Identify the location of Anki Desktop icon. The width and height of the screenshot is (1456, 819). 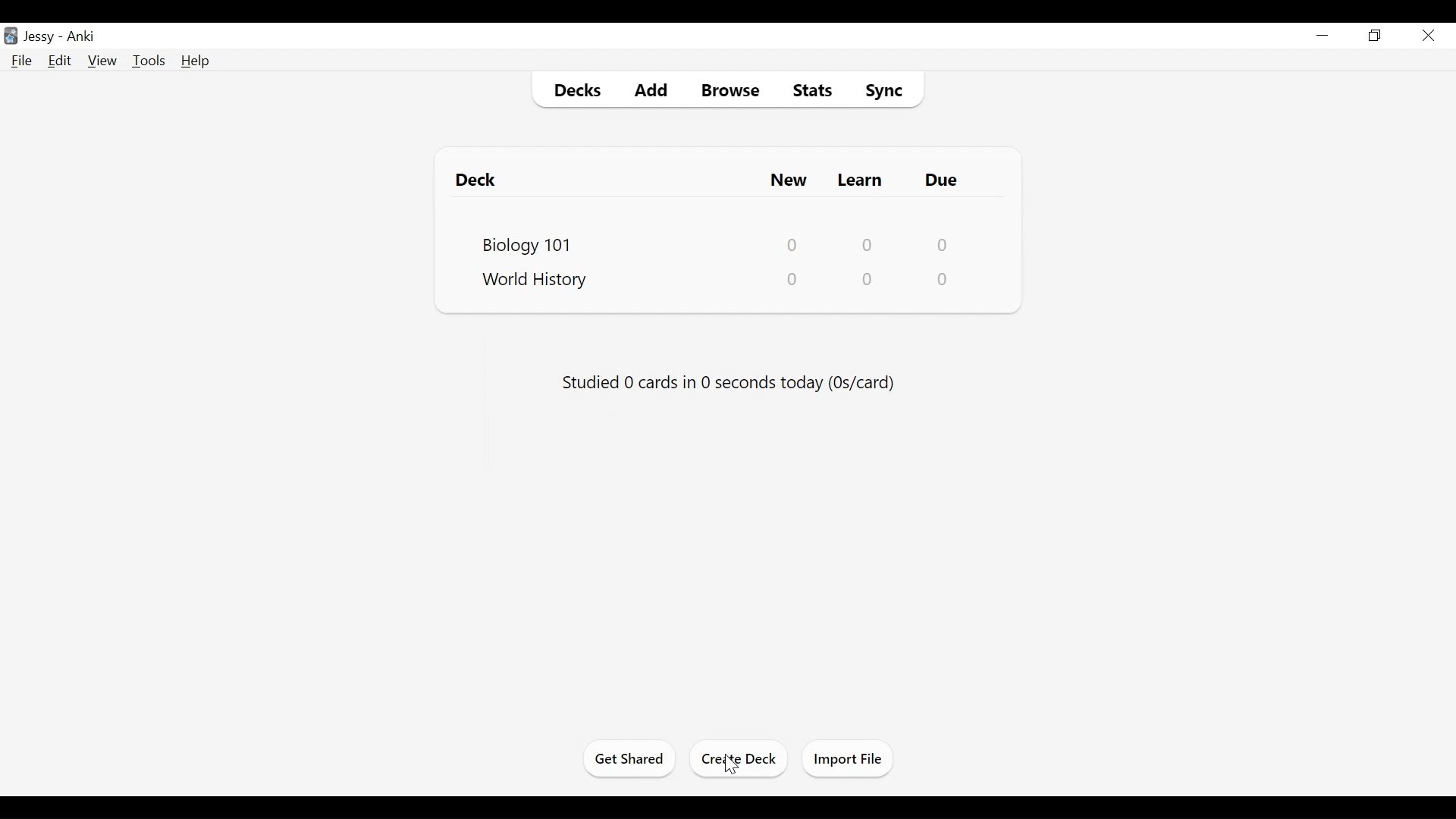
(12, 36).